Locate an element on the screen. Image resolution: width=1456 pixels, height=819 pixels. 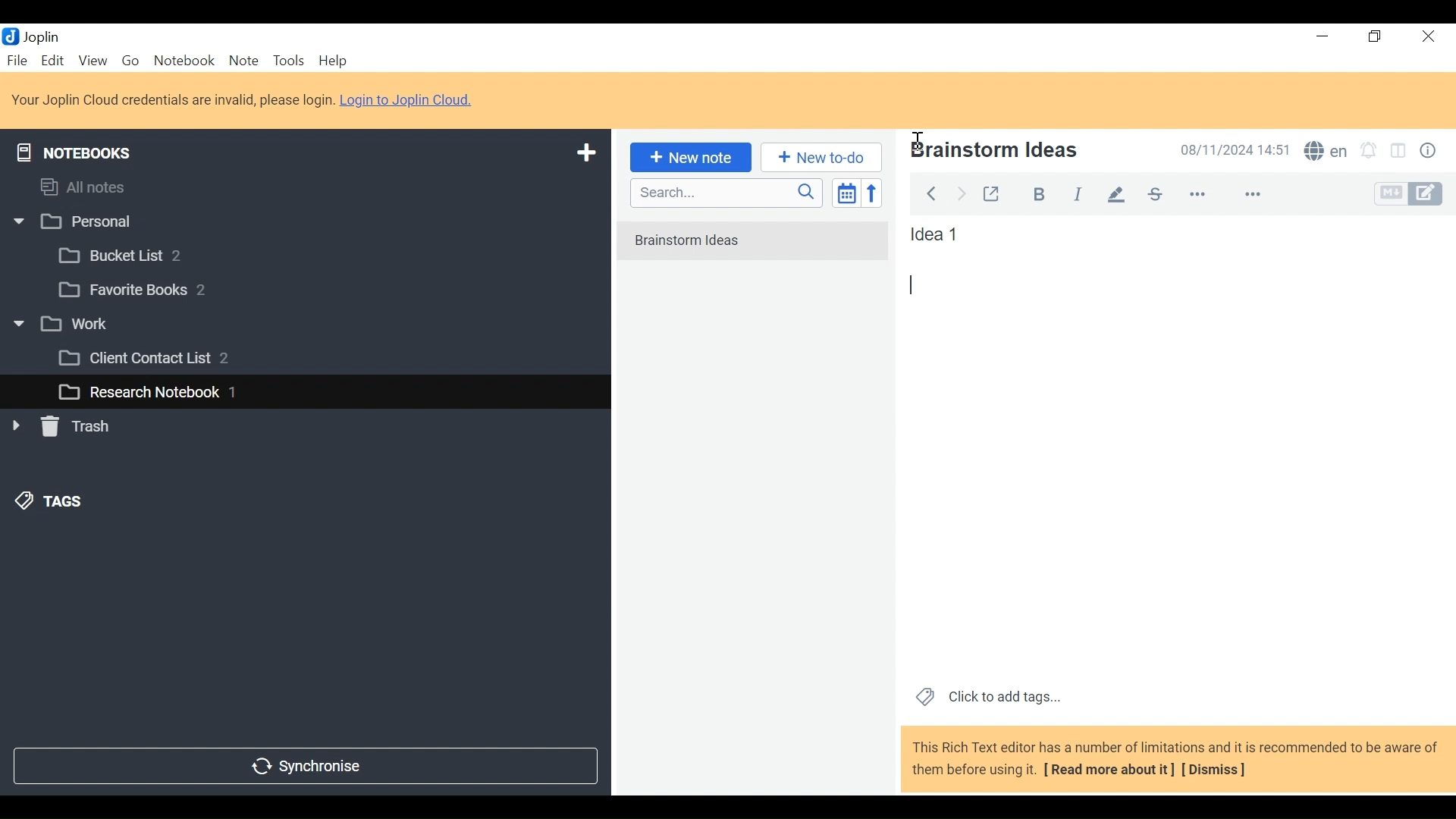
Edit is located at coordinates (54, 60).